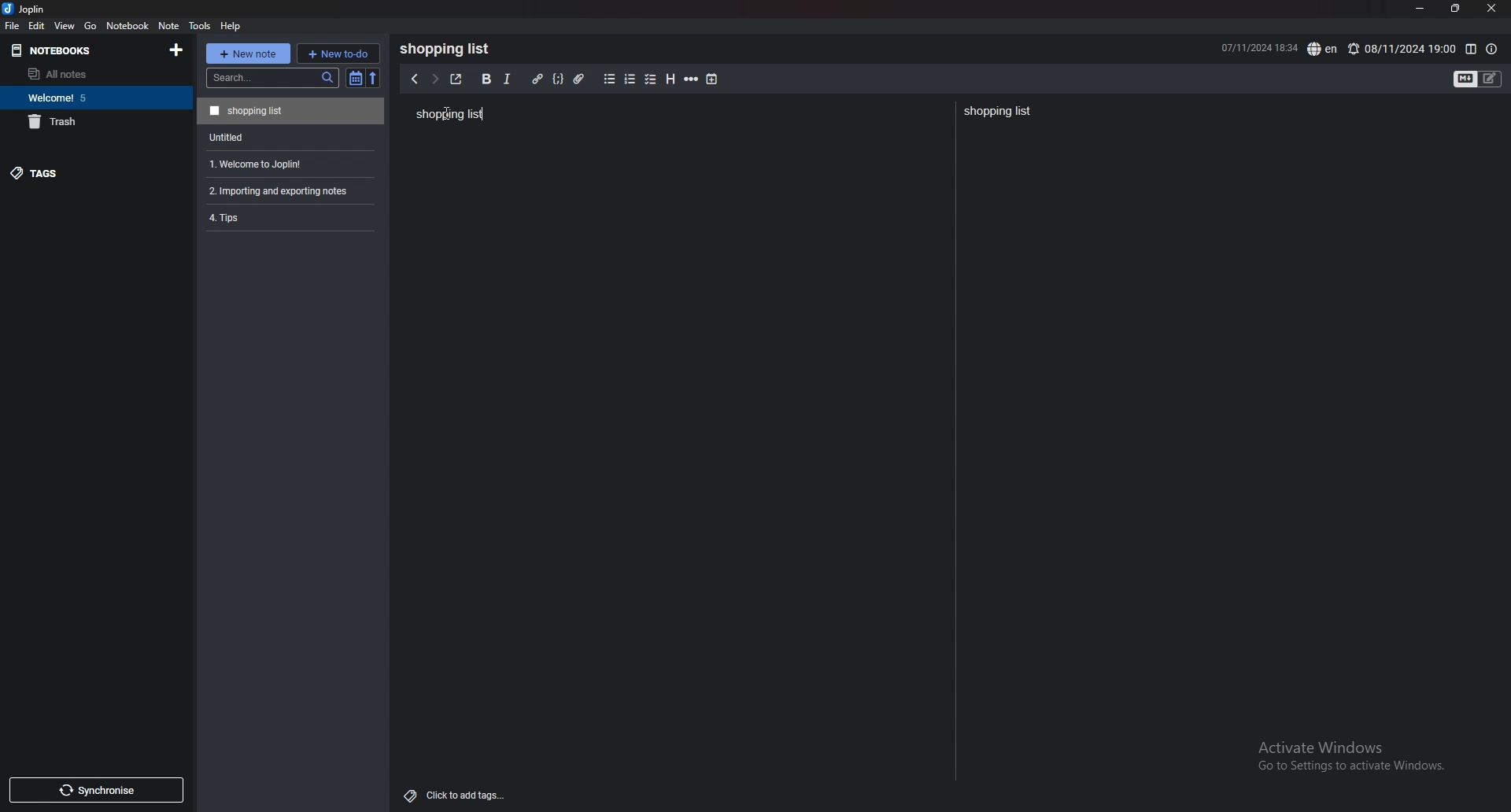 This screenshot has width=1511, height=812. What do you see at coordinates (999, 112) in the screenshot?
I see `Shopping list` at bounding box center [999, 112].